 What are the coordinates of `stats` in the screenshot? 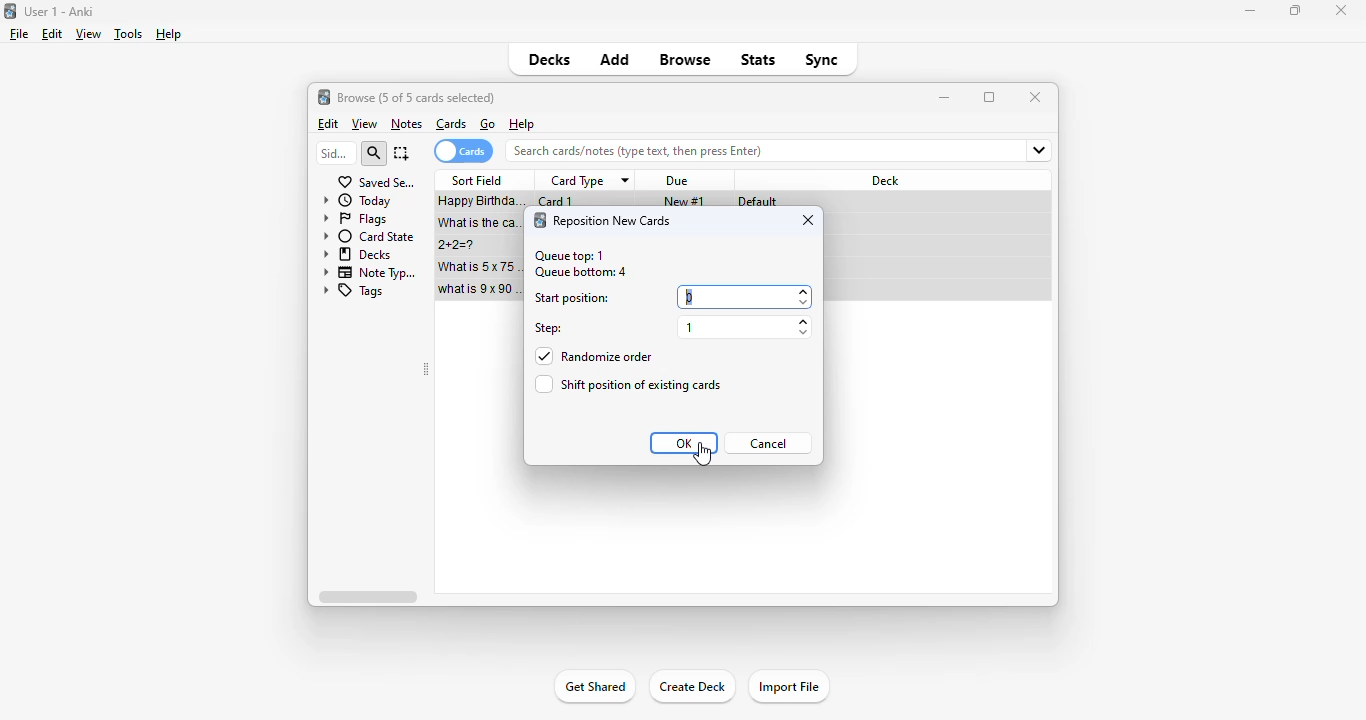 It's located at (759, 59).